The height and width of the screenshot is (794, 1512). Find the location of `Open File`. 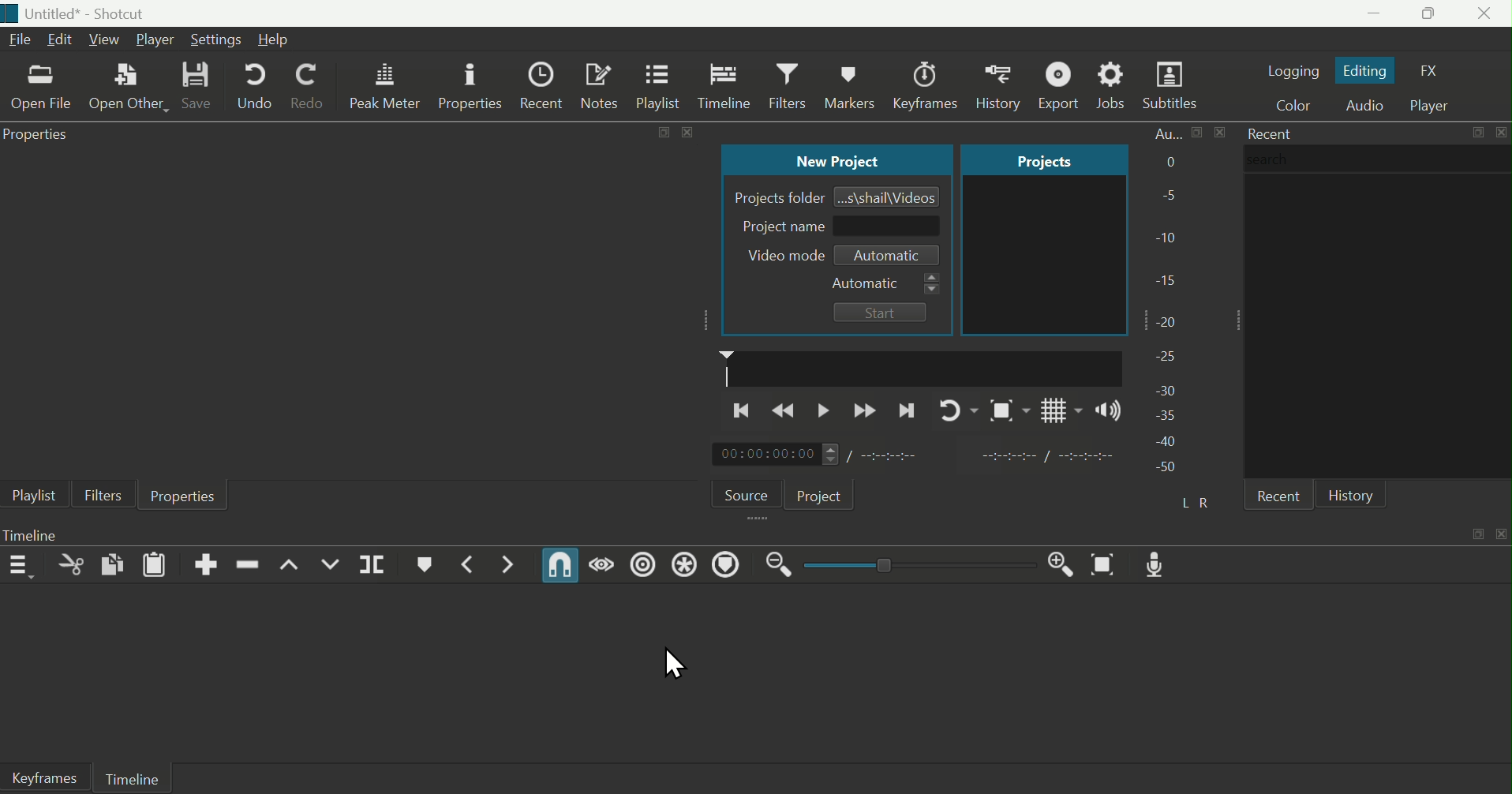

Open File is located at coordinates (39, 89).